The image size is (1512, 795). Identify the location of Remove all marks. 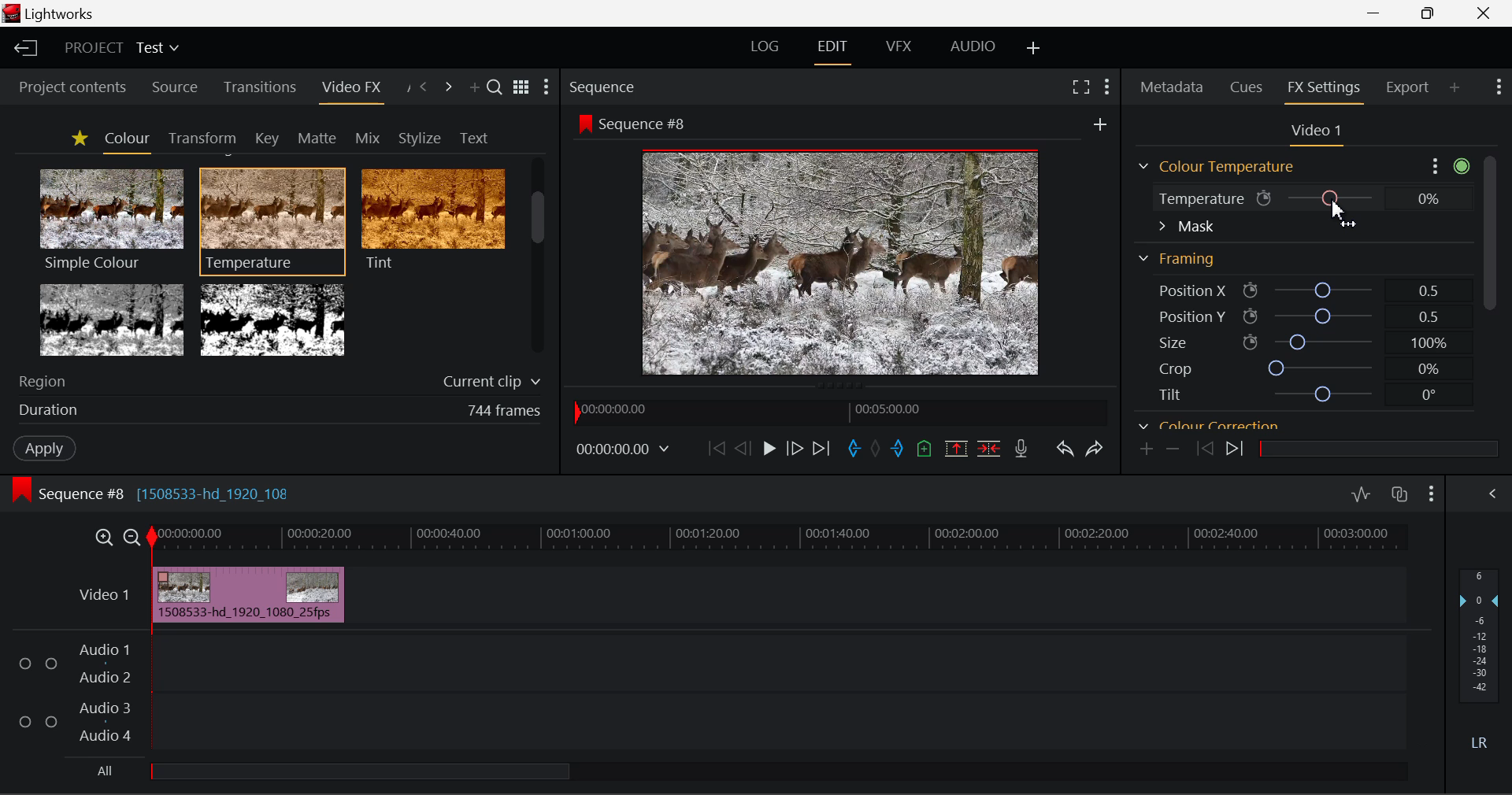
(875, 450).